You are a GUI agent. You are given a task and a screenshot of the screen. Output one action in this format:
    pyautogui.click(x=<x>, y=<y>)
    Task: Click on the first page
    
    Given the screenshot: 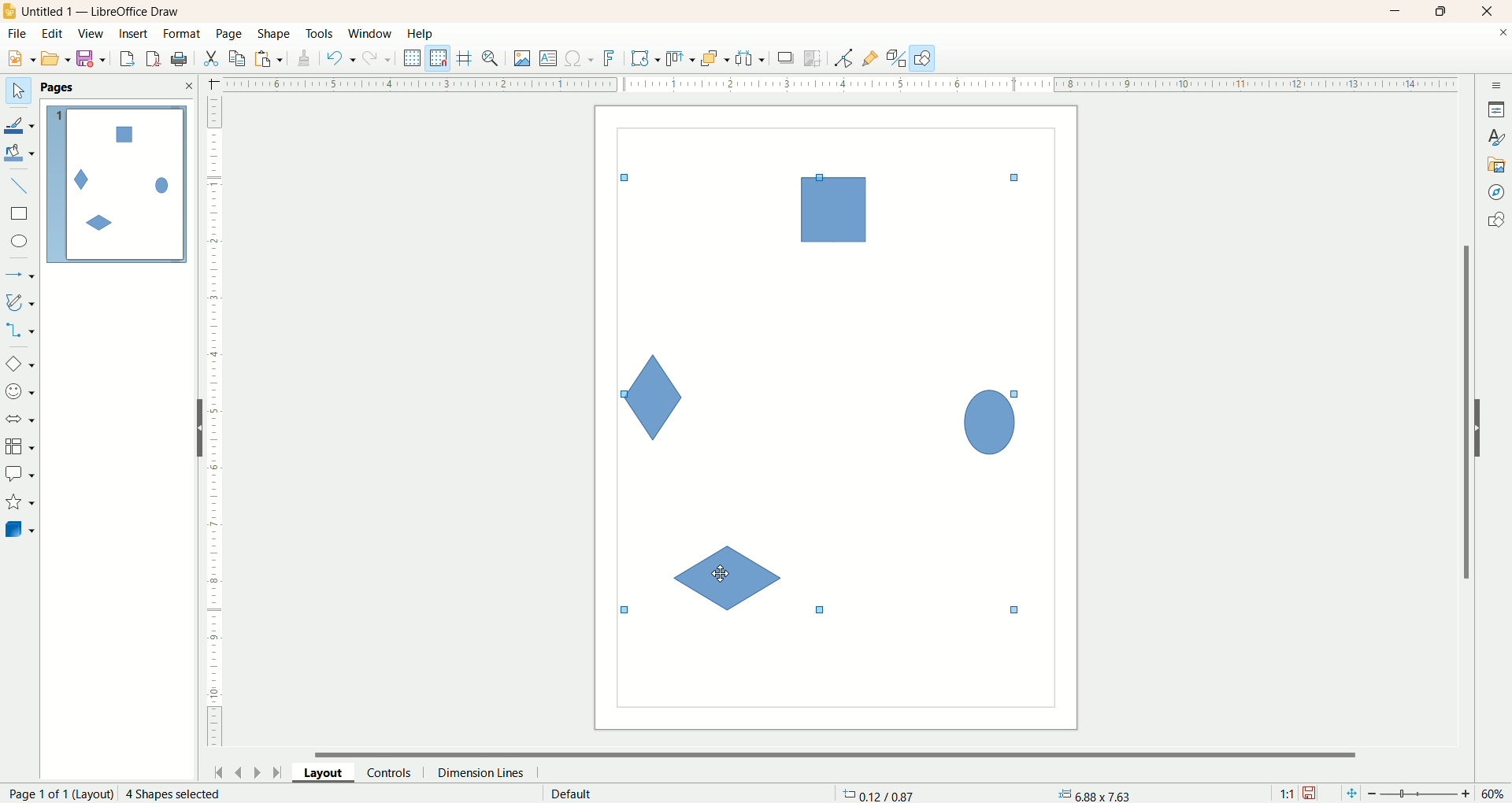 What is the action you would take?
    pyautogui.click(x=216, y=770)
    